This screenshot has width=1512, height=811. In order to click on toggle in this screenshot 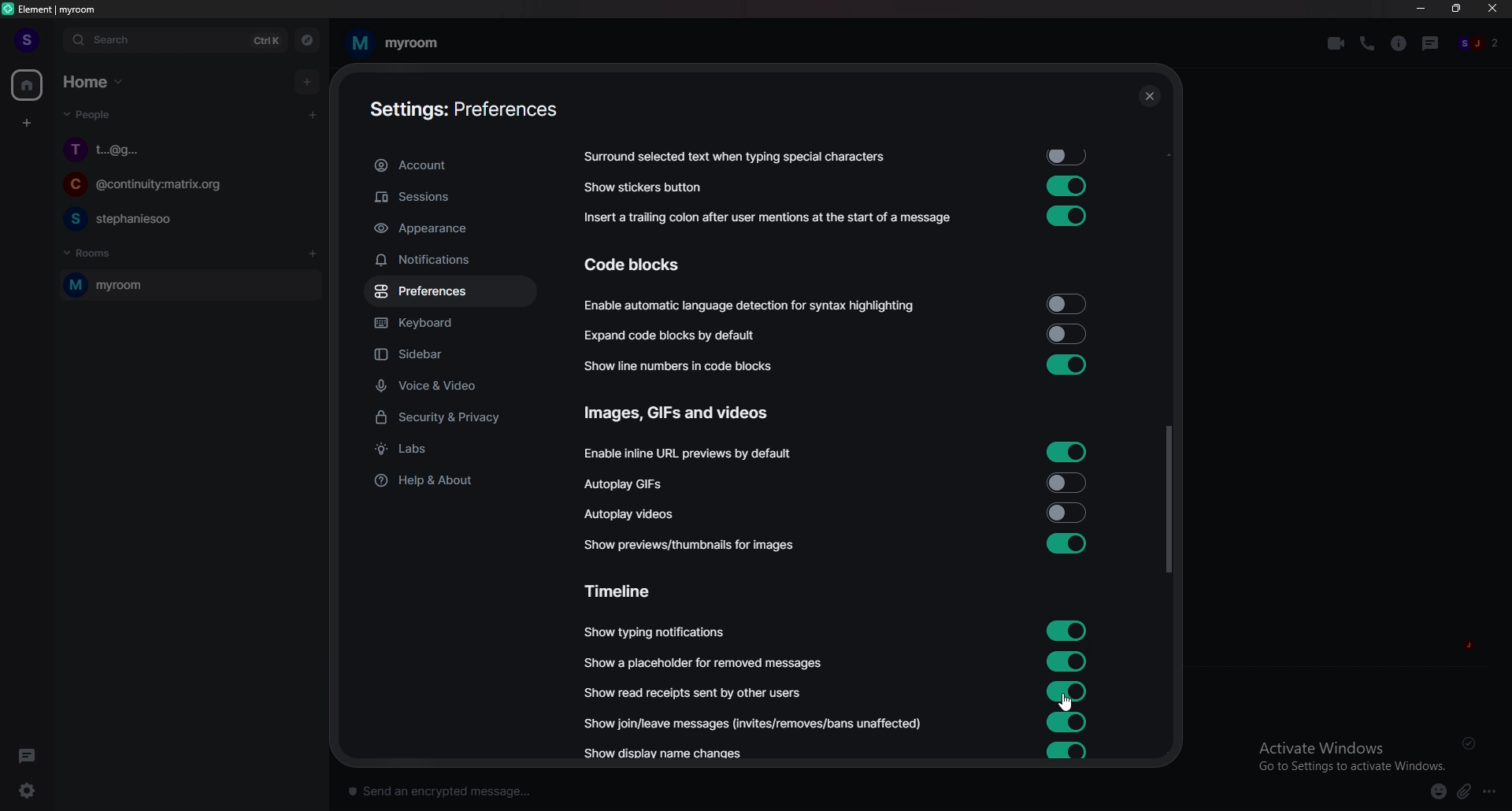, I will do `click(1068, 481)`.